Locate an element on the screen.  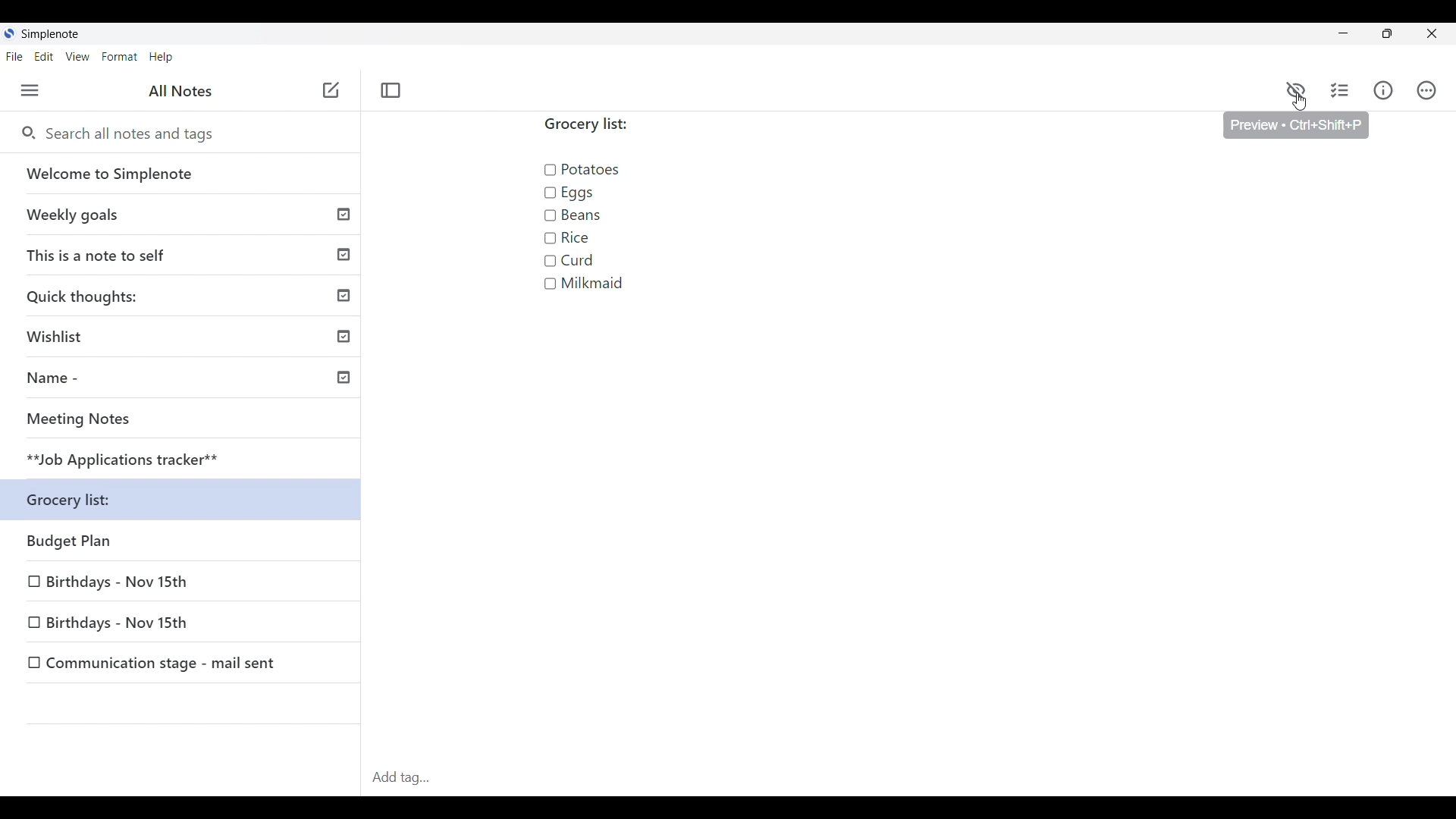
Communication stage - mail sent is located at coordinates (183, 663).